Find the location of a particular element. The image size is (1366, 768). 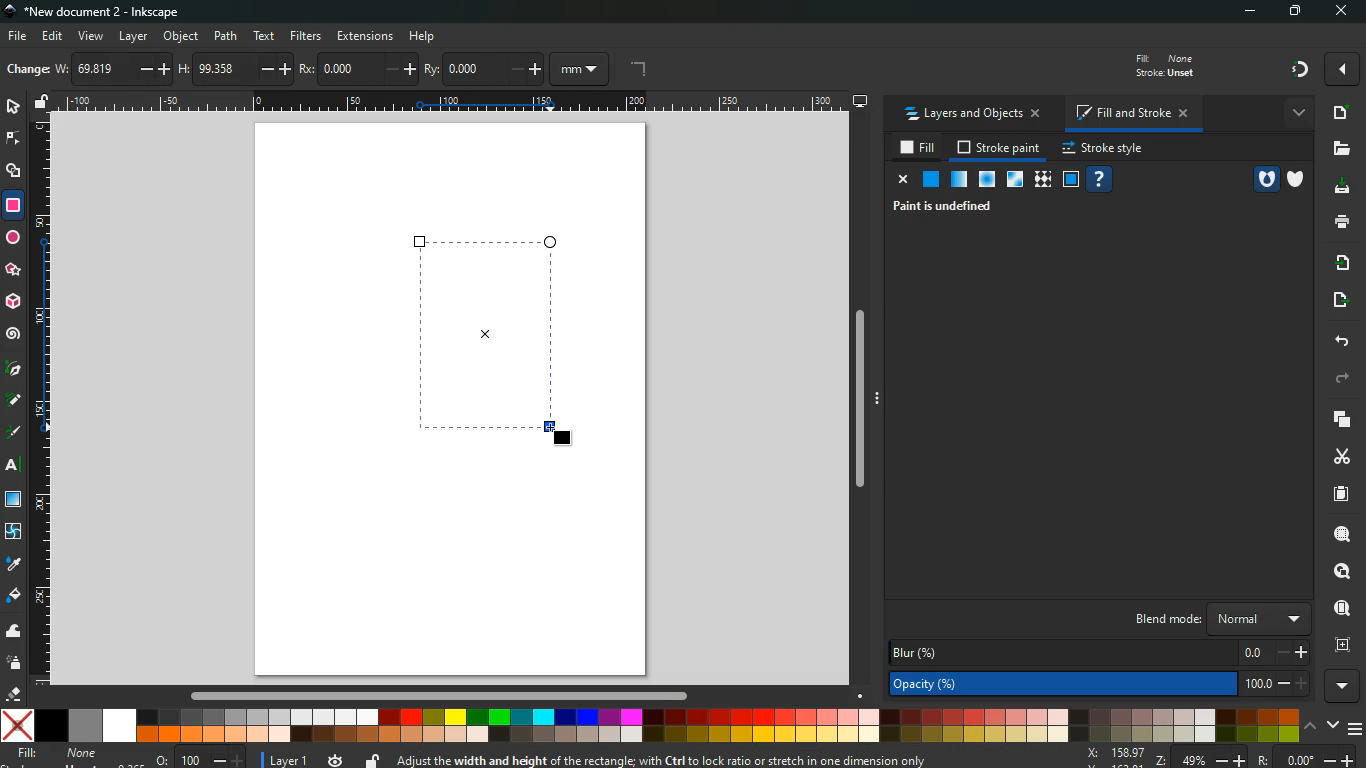

highlight is located at coordinates (13, 402).